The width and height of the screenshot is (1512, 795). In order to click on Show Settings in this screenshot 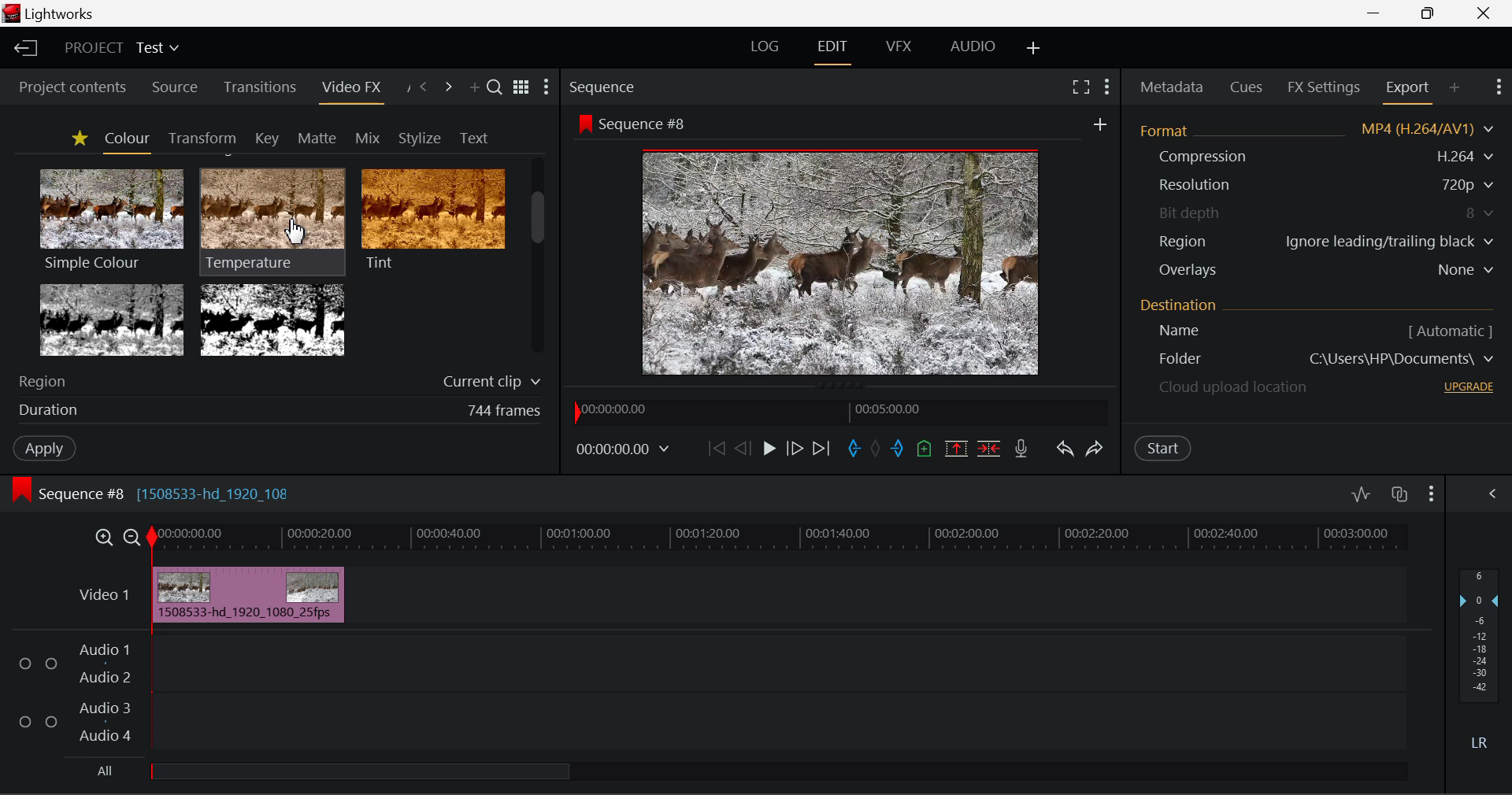, I will do `click(1499, 90)`.